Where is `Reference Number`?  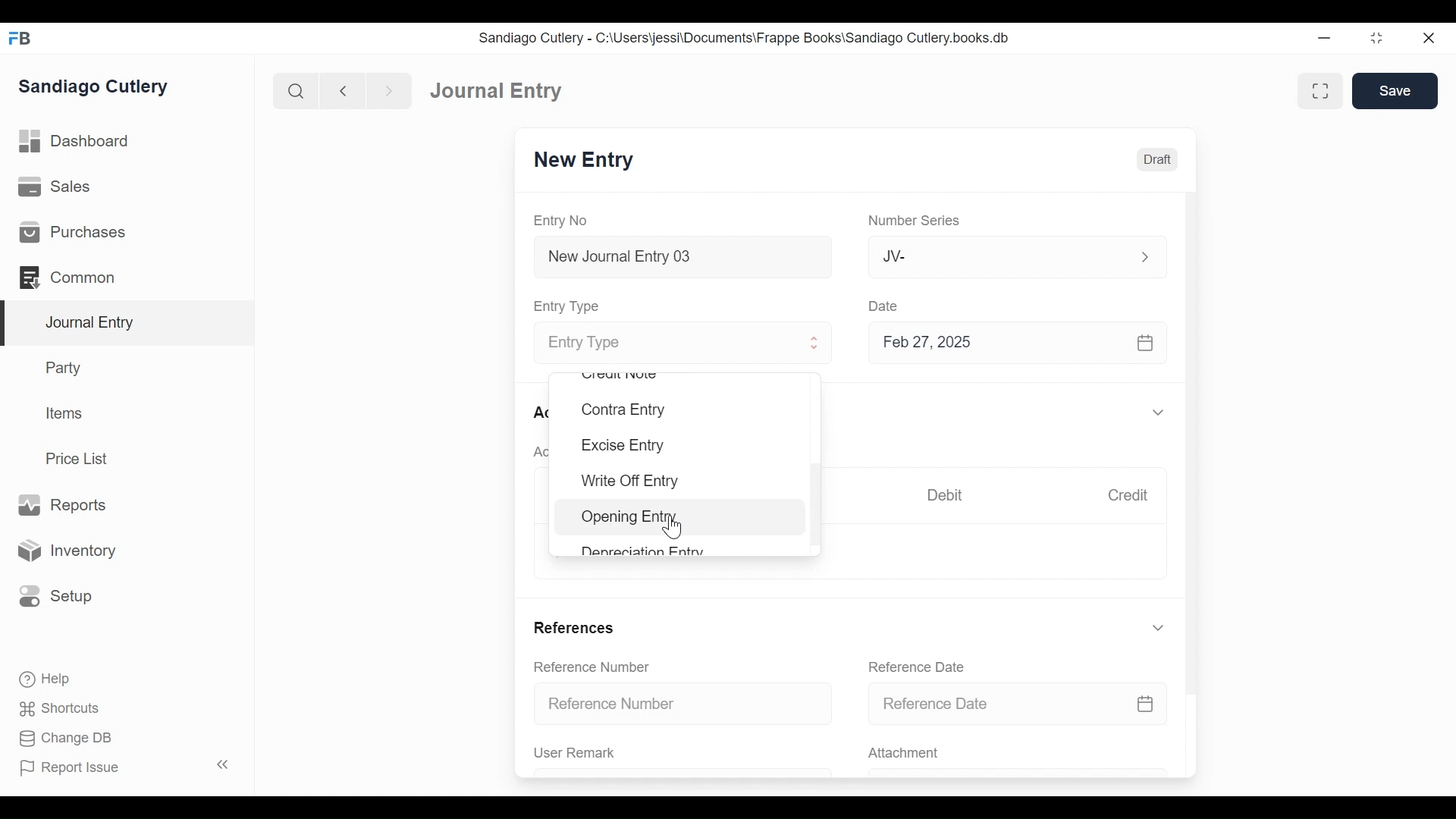
Reference Number is located at coordinates (679, 706).